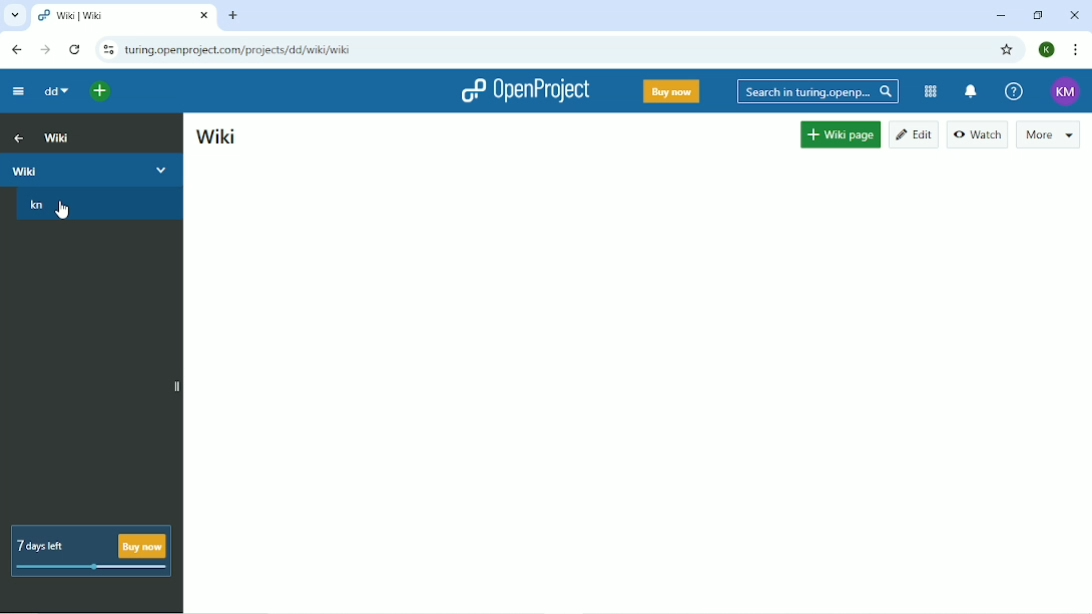 The height and width of the screenshot is (614, 1092). I want to click on To notification center, so click(973, 92).